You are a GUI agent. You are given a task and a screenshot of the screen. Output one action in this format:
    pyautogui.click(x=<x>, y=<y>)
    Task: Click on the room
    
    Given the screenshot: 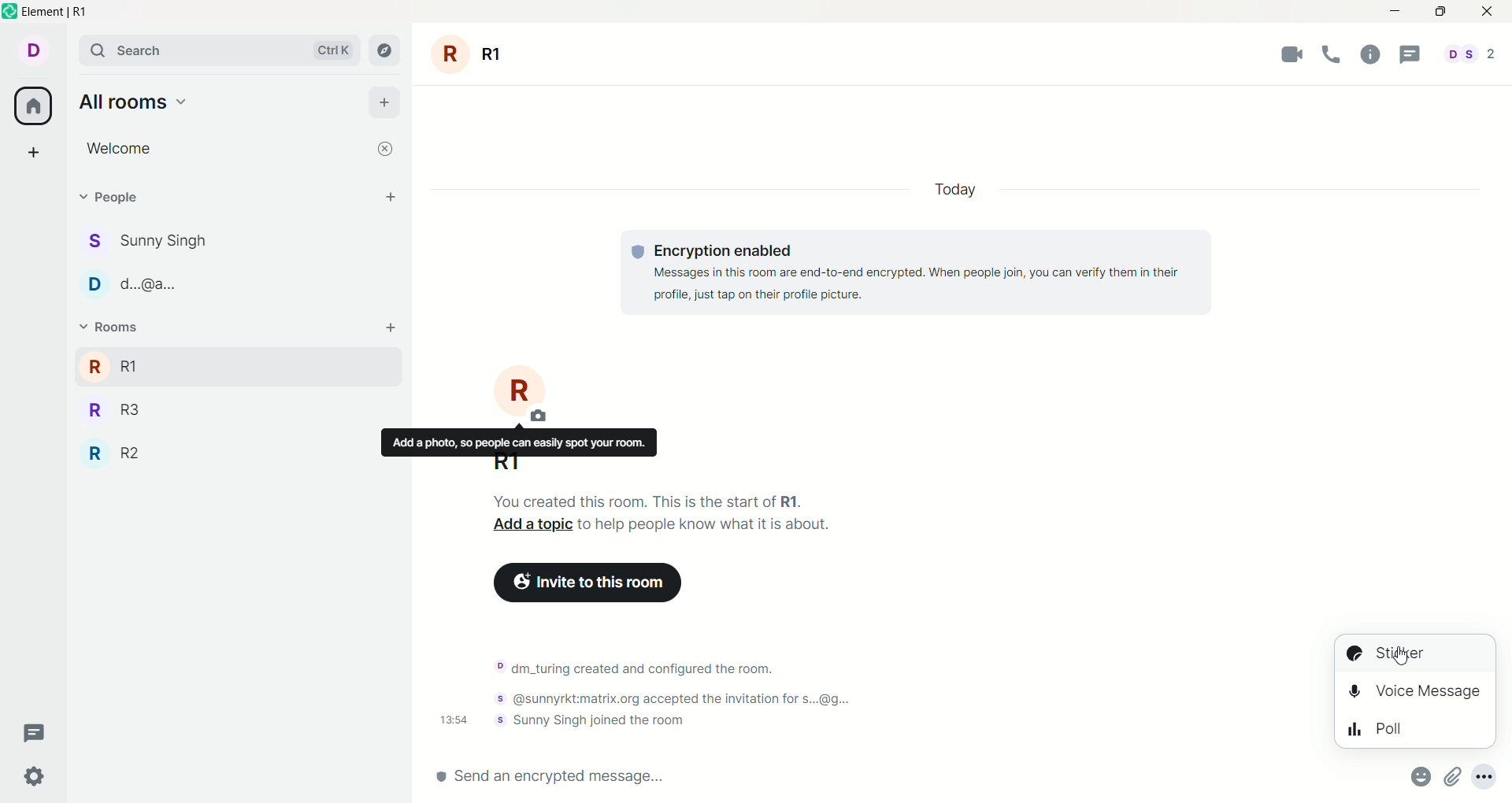 What is the action you would take?
    pyautogui.click(x=469, y=54)
    